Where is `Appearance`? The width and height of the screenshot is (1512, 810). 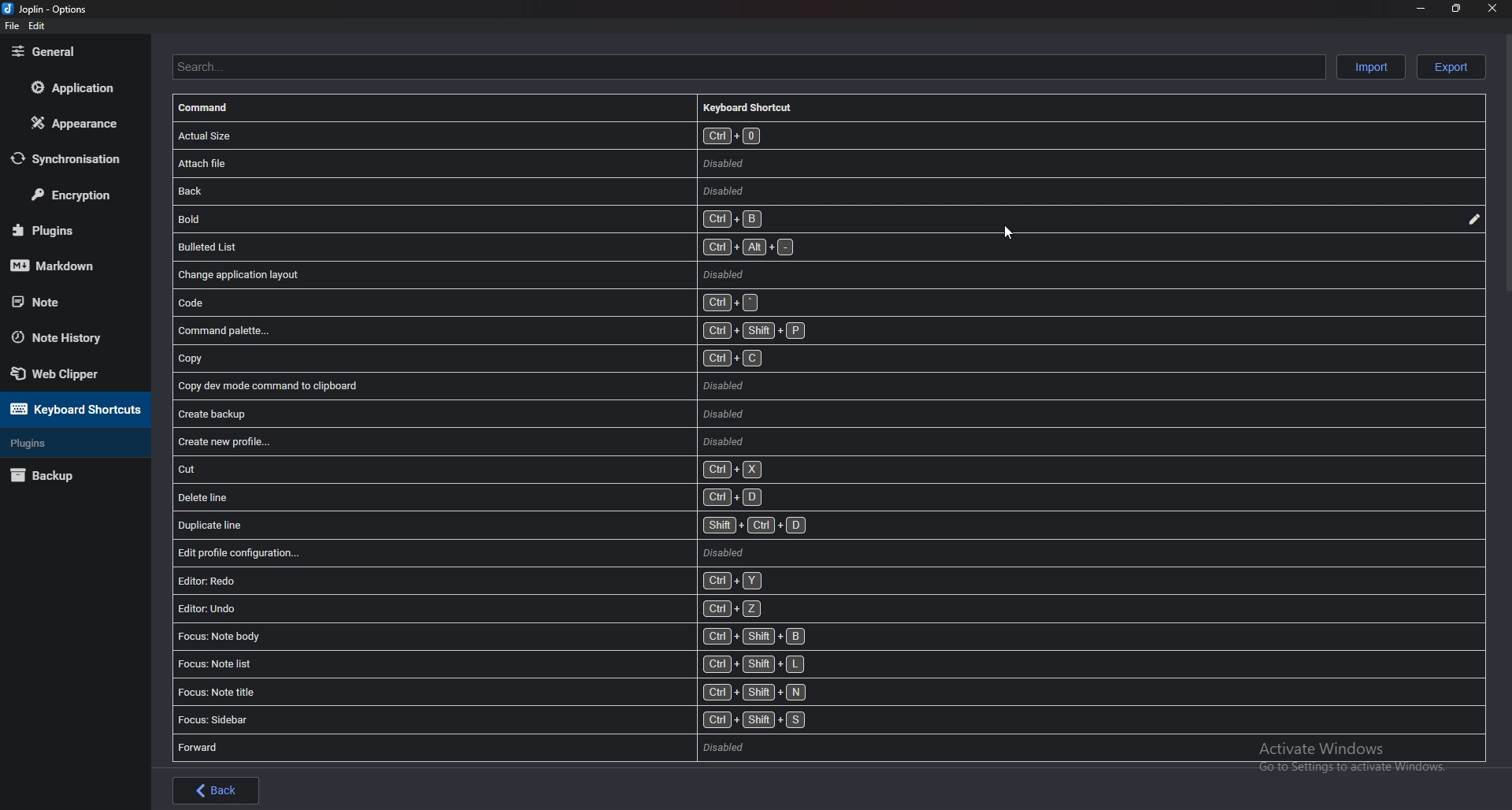 Appearance is located at coordinates (75, 122).